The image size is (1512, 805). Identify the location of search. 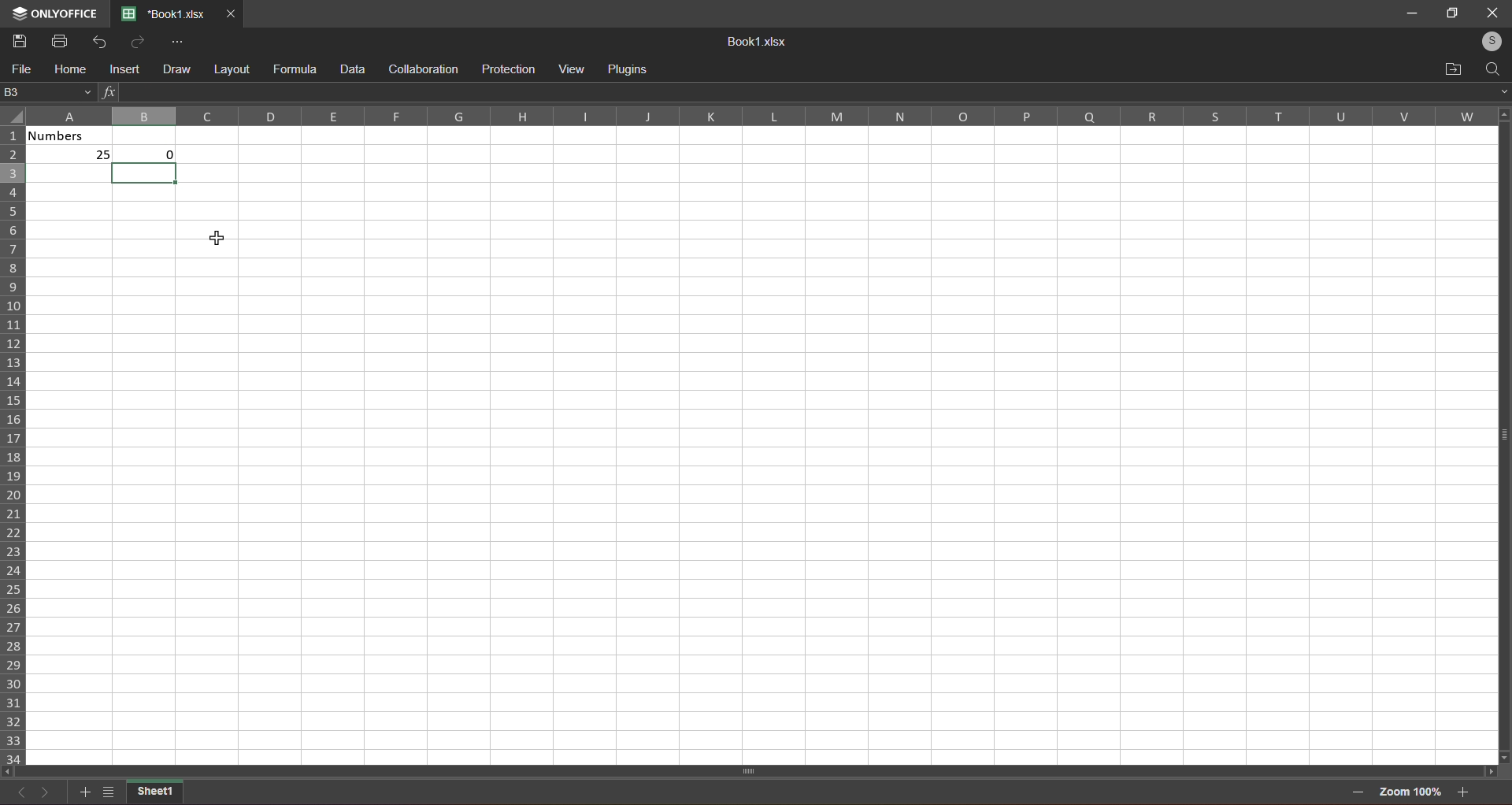
(1494, 67).